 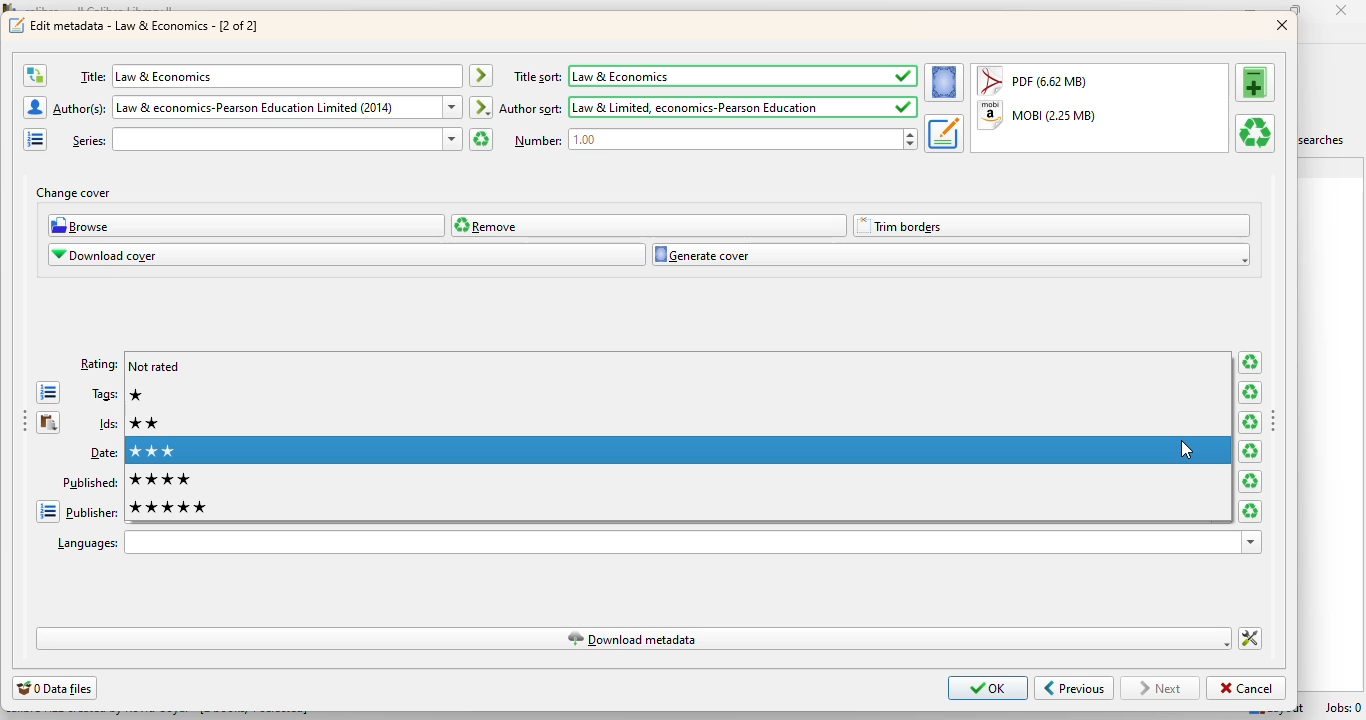 What do you see at coordinates (1250, 511) in the screenshot?
I see `clear publisher` at bounding box center [1250, 511].